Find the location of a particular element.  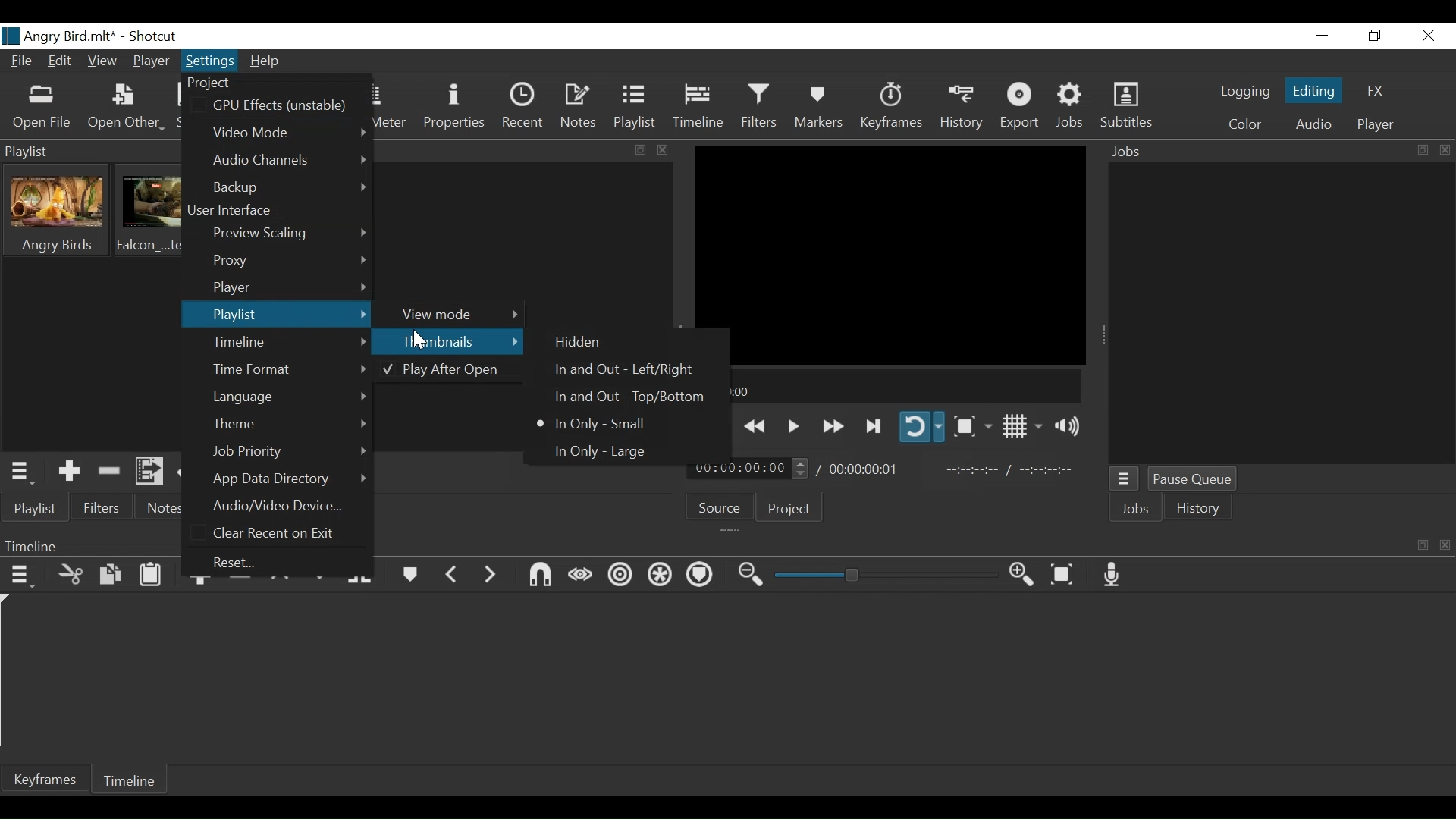

Snap is located at coordinates (541, 576).